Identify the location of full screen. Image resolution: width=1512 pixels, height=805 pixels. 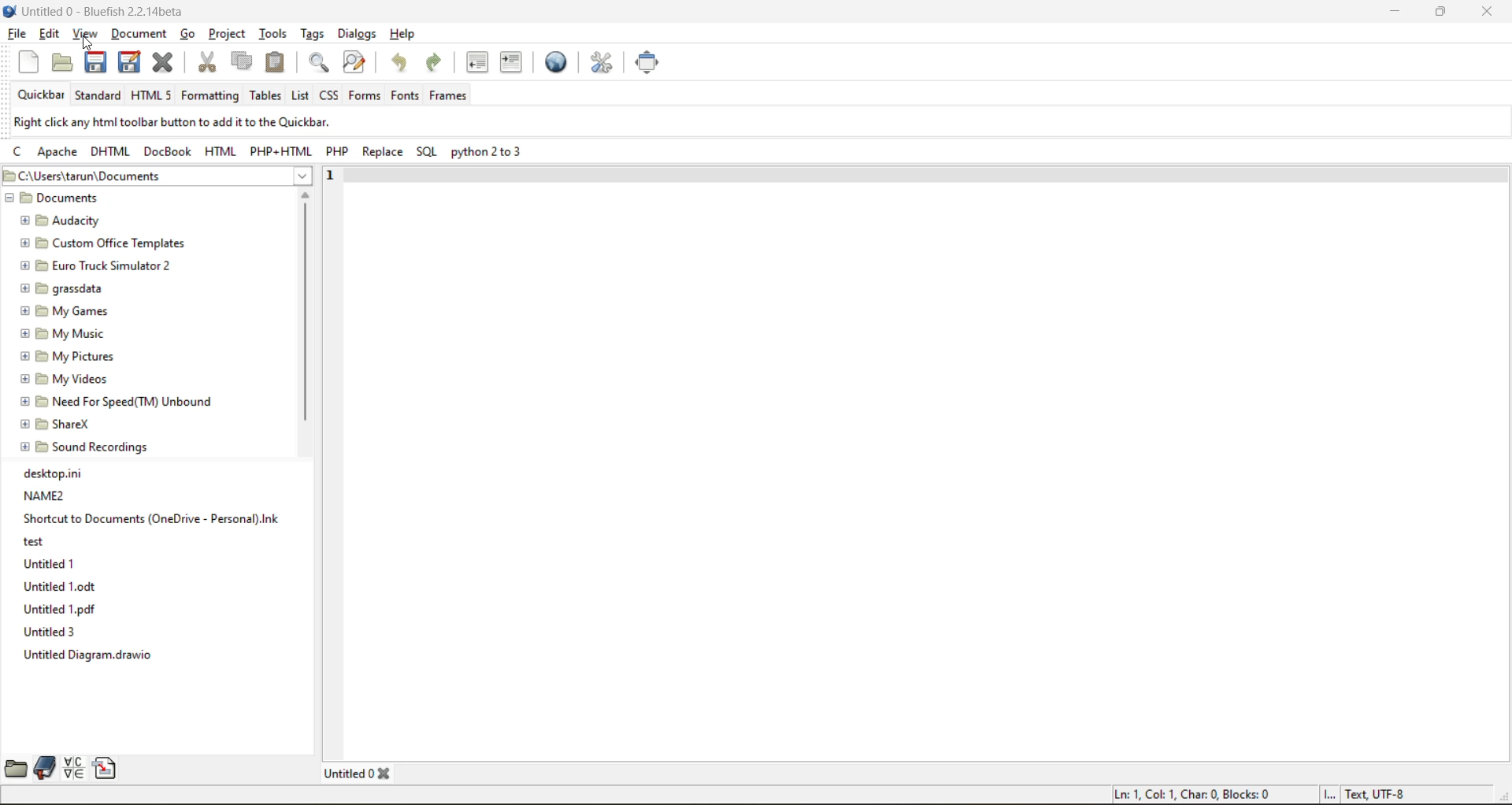
(651, 62).